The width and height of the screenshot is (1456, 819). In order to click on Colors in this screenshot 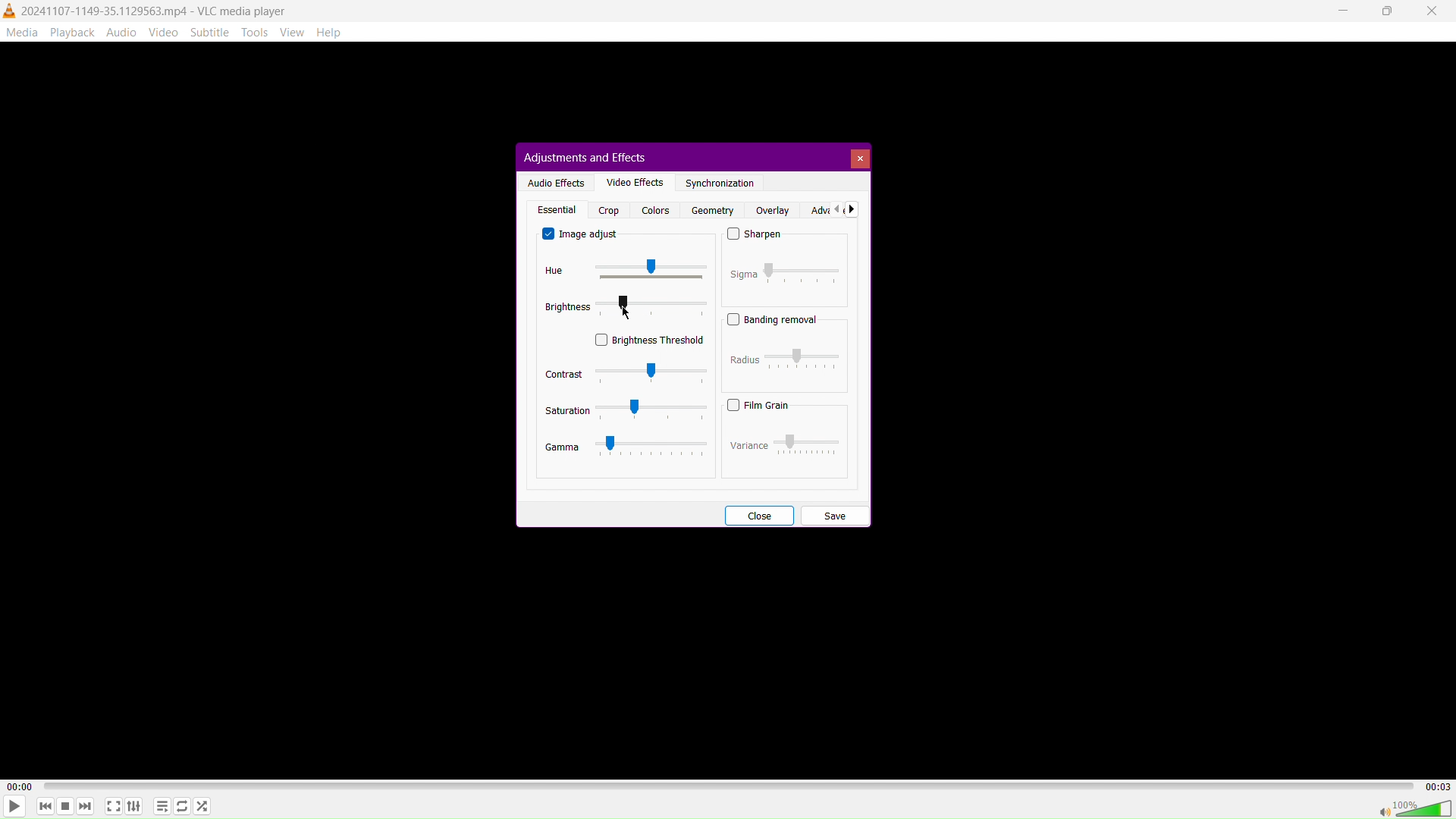, I will do `click(654, 210)`.